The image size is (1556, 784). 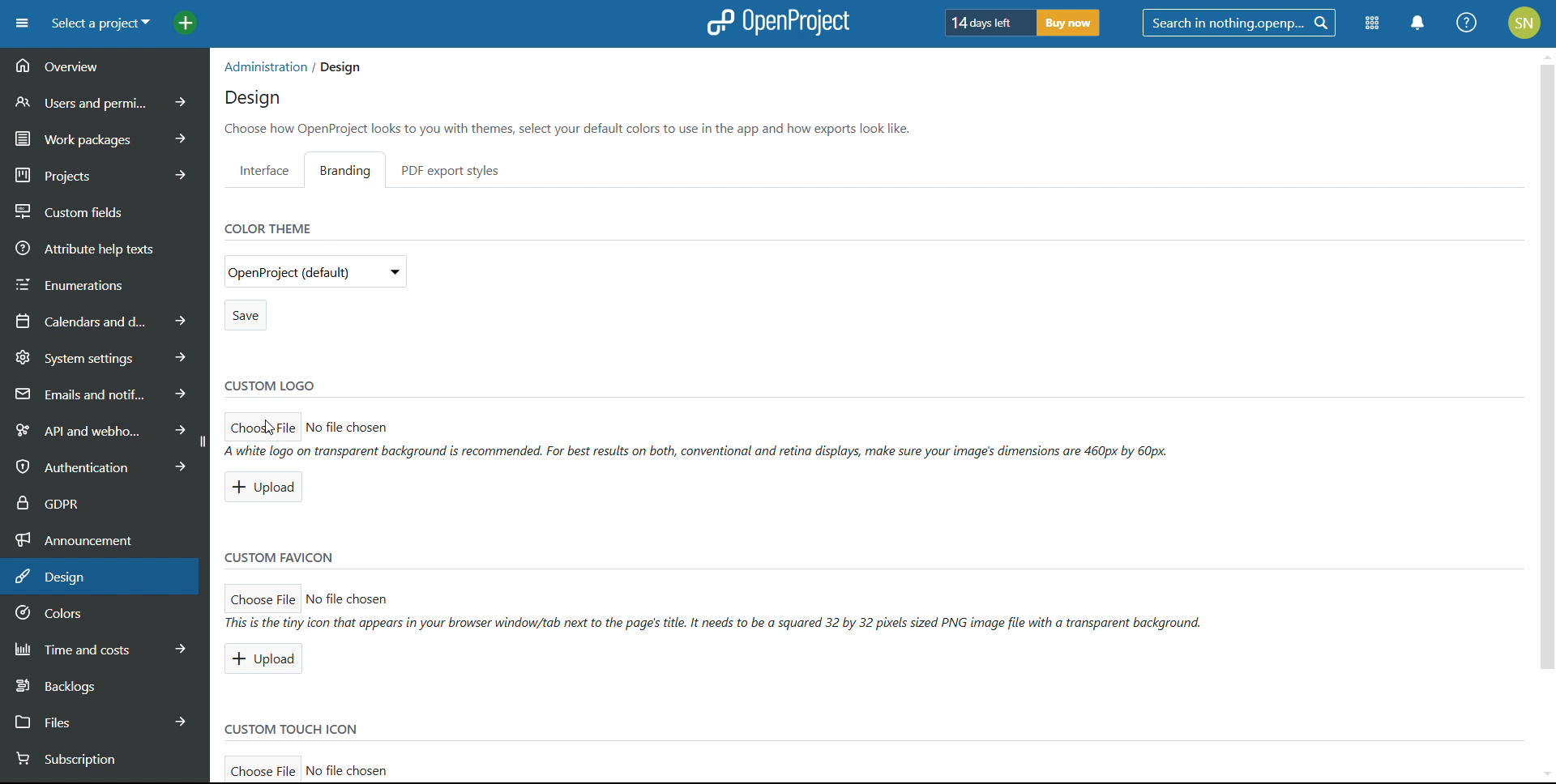 What do you see at coordinates (105, 247) in the screenshot?
I see `attribute help texts` at bounding box center [105, 247].